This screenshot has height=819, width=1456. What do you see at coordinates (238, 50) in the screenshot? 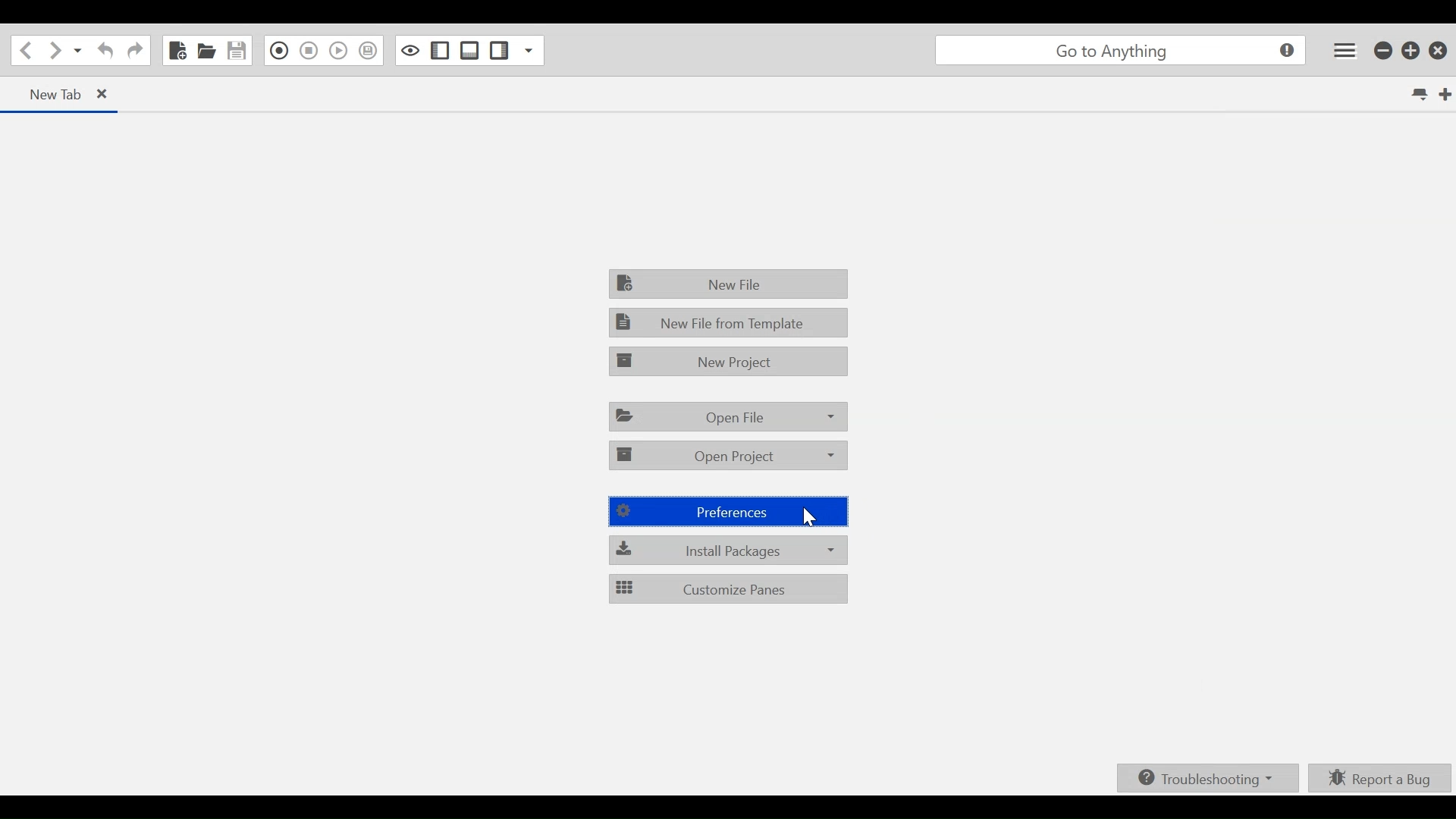
I see `Save File` at bounding box center [238, 50].